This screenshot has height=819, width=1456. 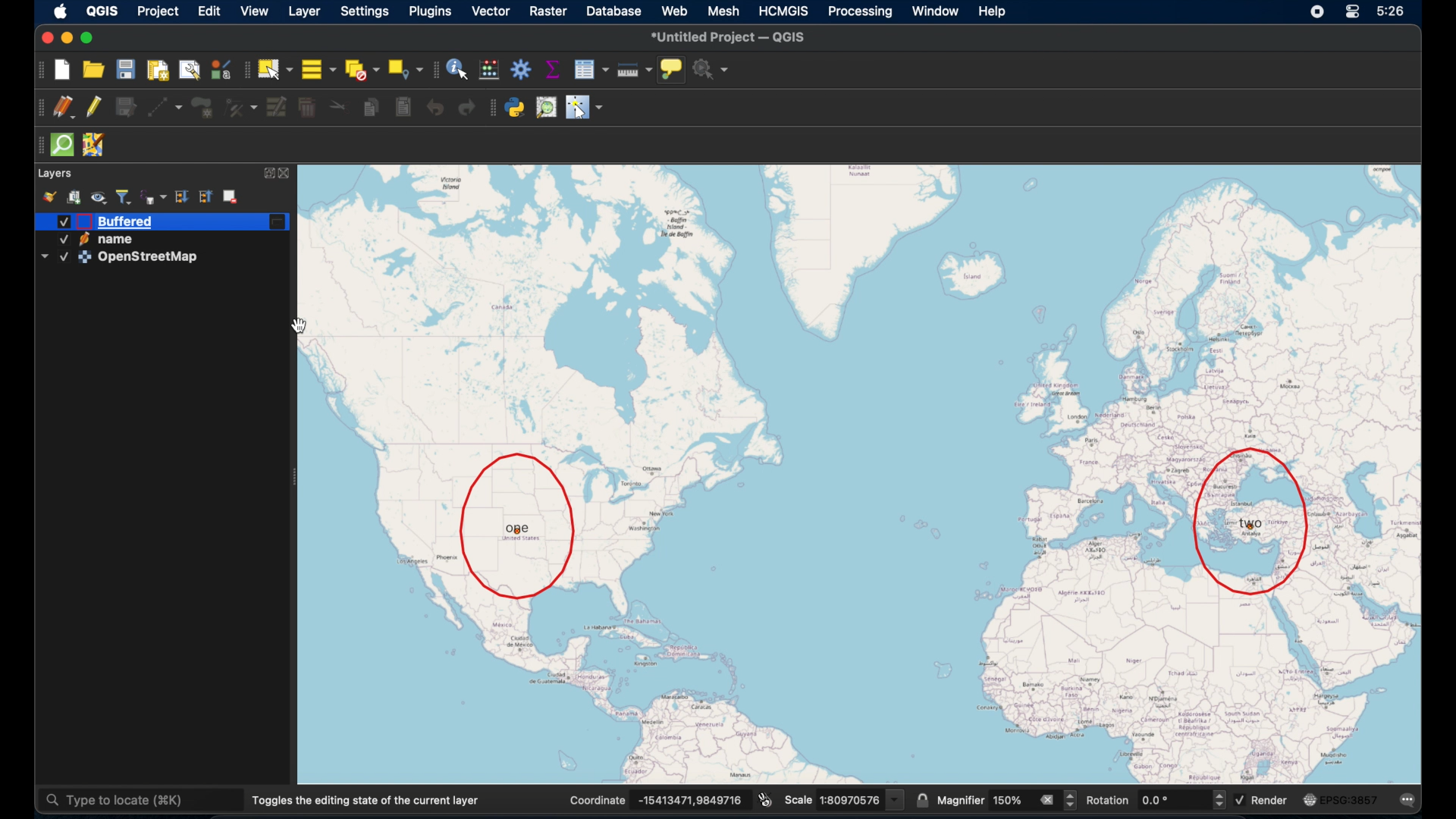 What do you see at coordinates (1006, 800) in the screenshot?
I see `magnifier value` at bounding box center [1006, 800].